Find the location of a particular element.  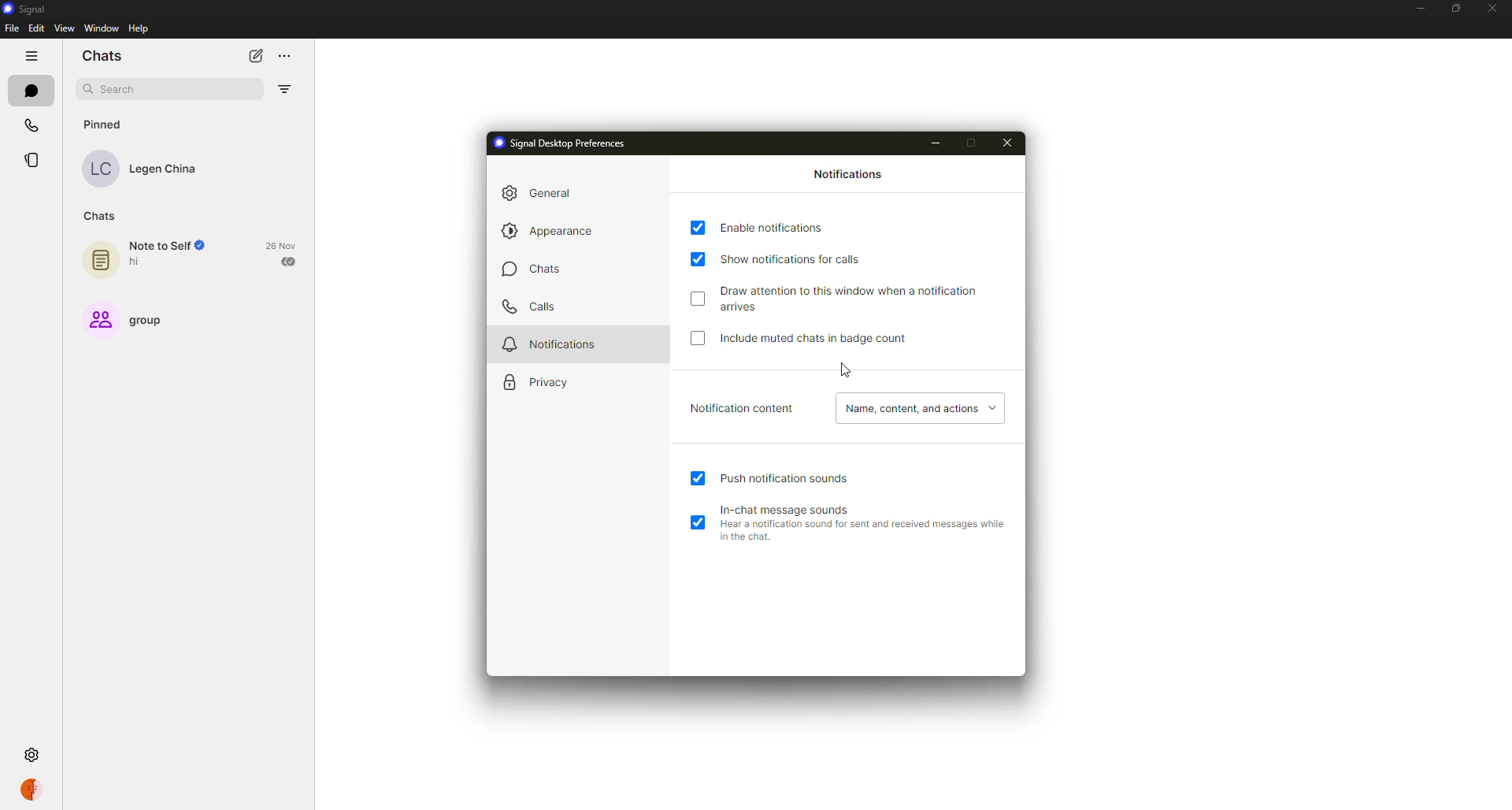

cursor is located at coordinates (847, 370).